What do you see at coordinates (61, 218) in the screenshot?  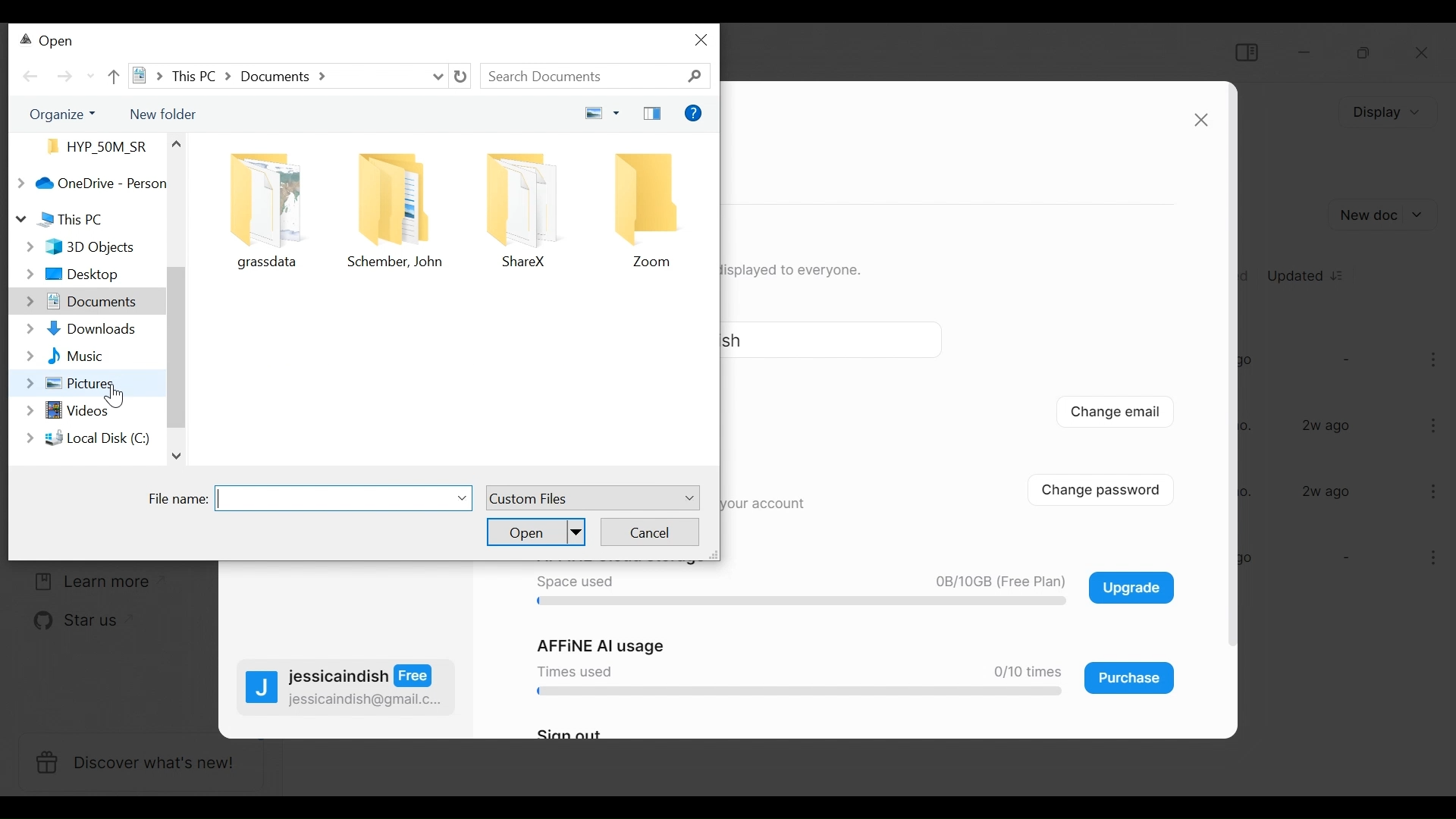 I see `This PC` at bounding box center [61, 218].